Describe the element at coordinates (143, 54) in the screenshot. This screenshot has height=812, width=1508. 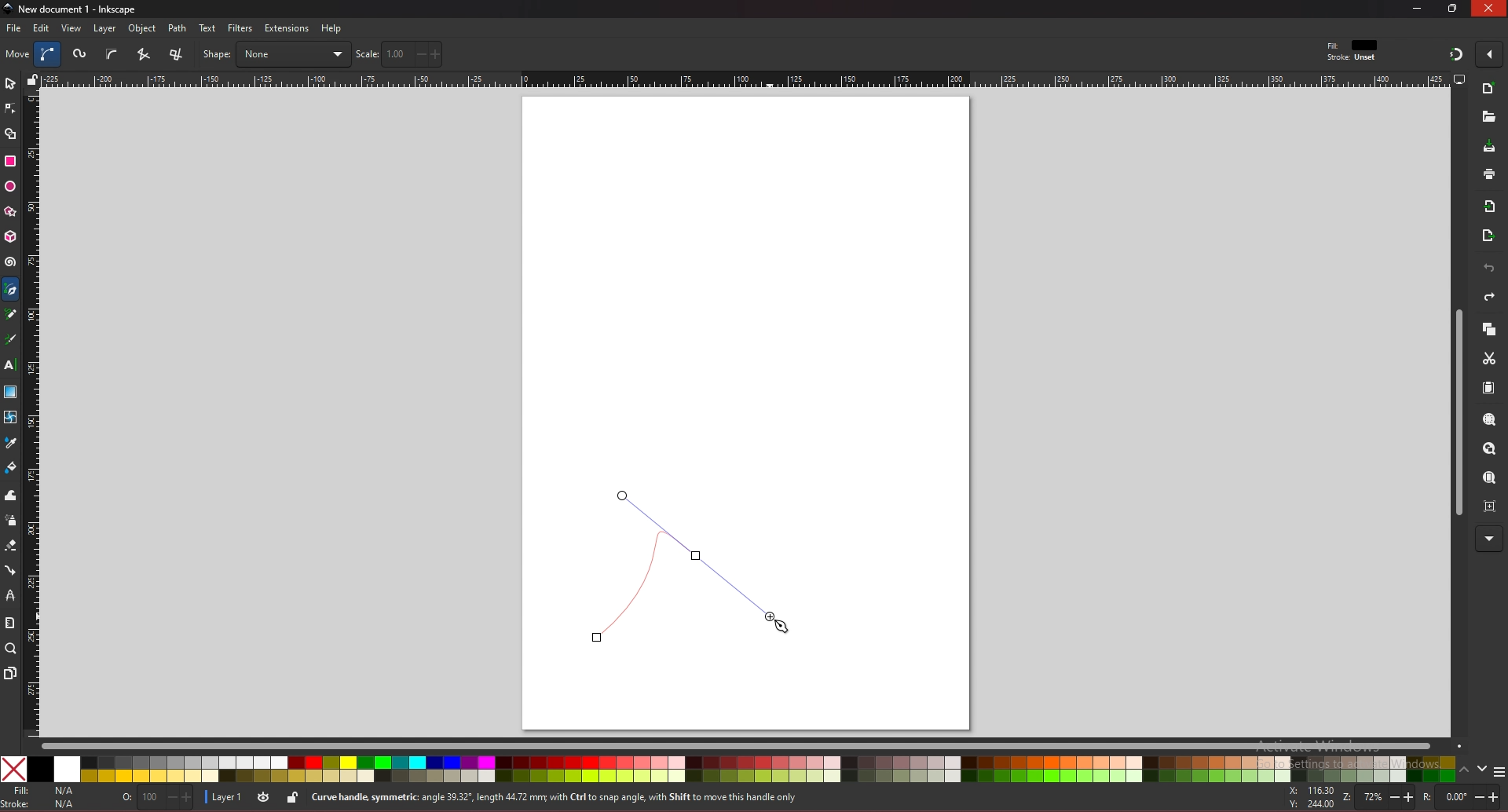
I see `squence of straight line segments` at that location.